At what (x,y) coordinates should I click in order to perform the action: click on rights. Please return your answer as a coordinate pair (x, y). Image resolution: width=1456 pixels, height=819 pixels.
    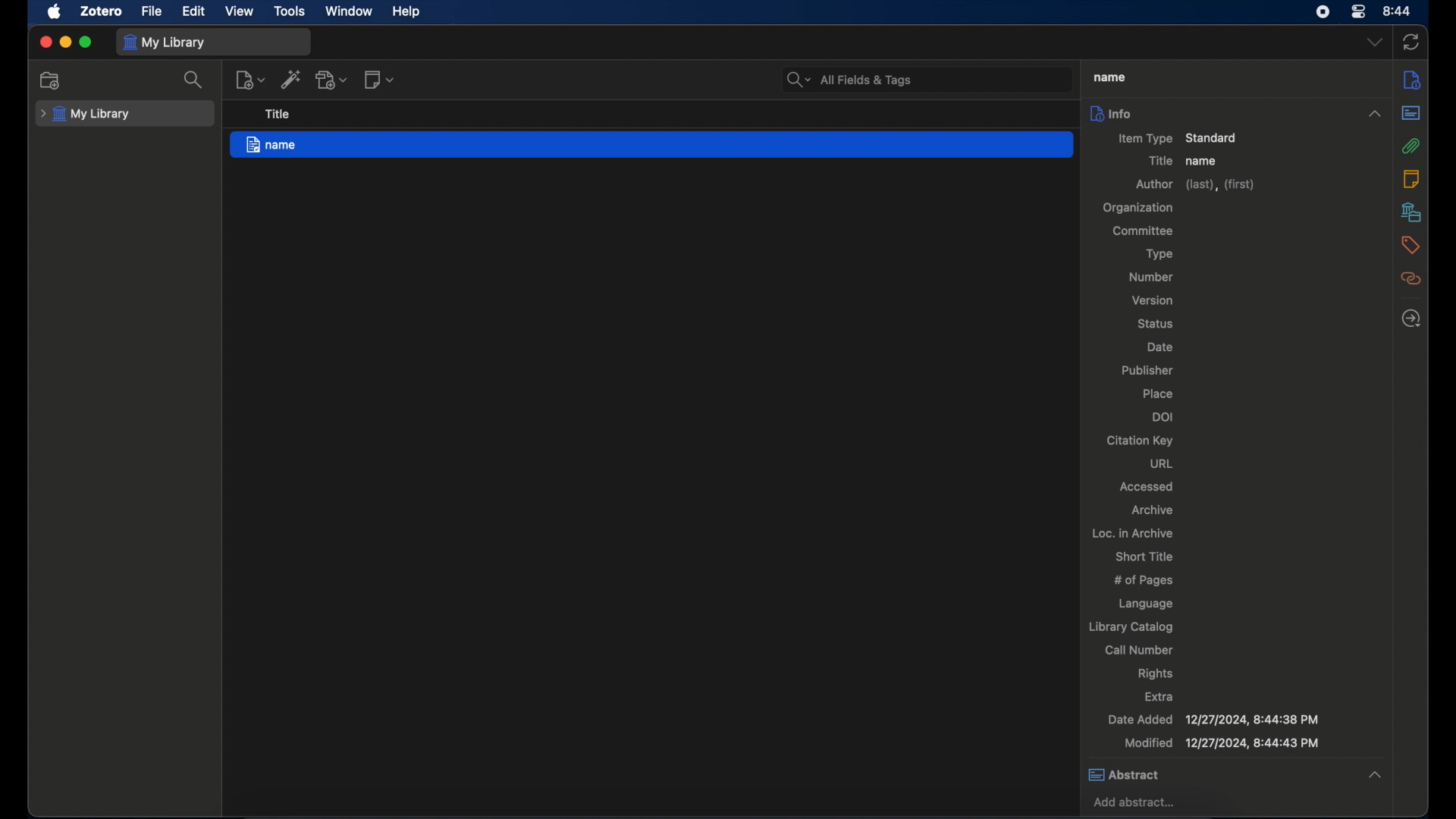
    Looking at the image, I should click on (1156, 674).